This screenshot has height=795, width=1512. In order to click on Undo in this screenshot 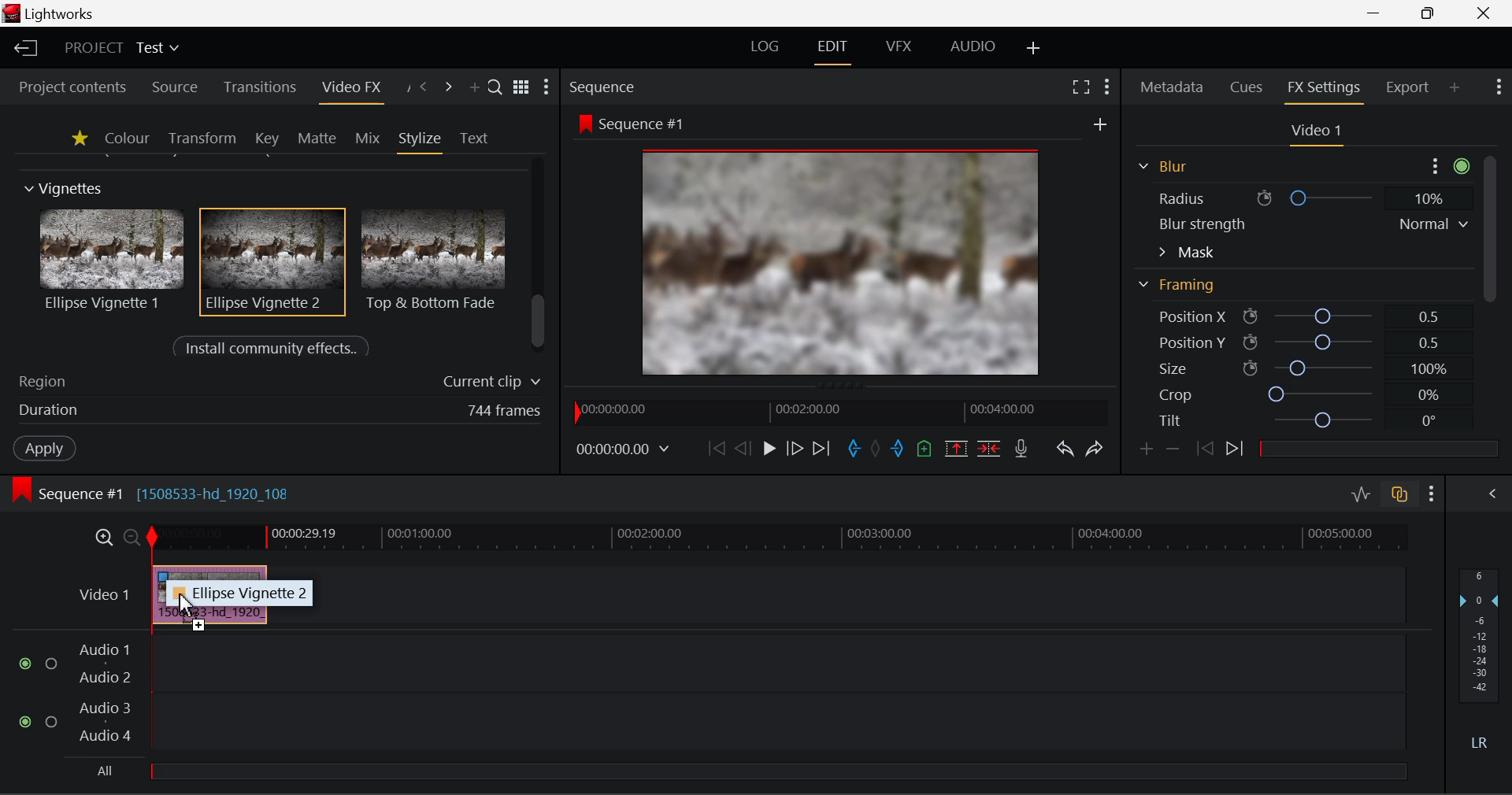, I will do `click(1063, 446)`.